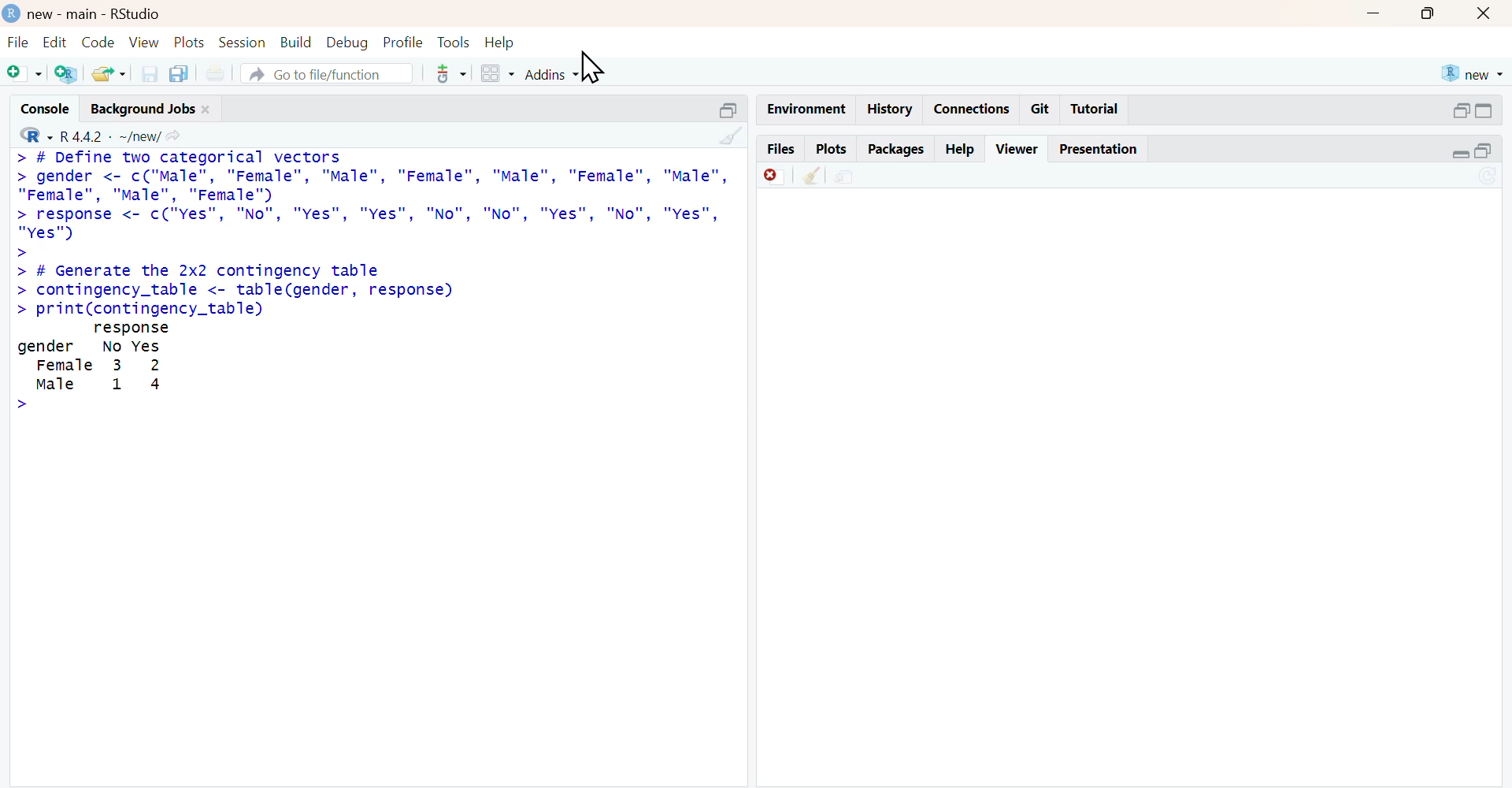 The height and width of the screenshot is (788, 1512). I want to click on background jobs, so click(143, 109).